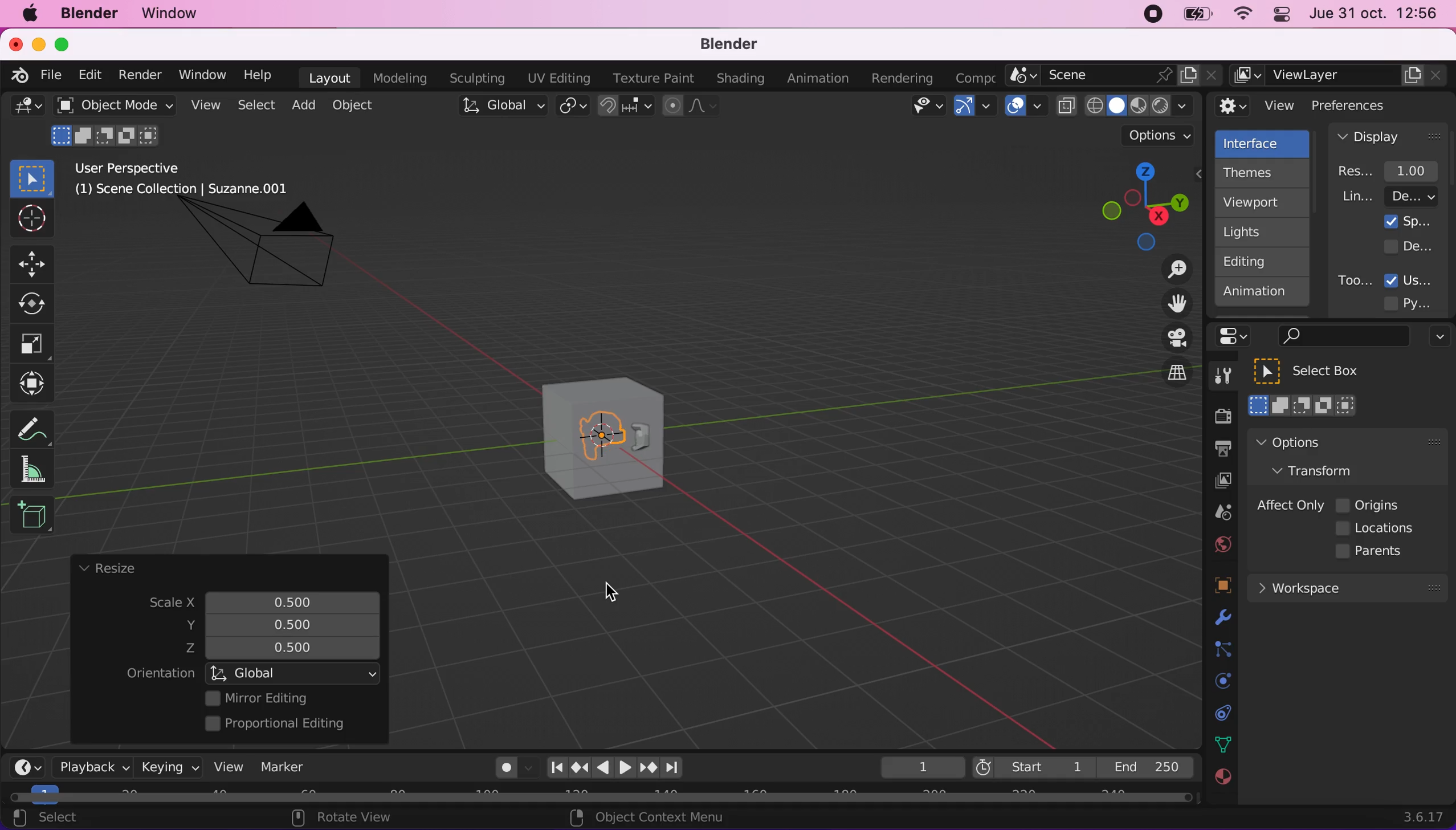  I want to click on locations, so click(1378, 528).